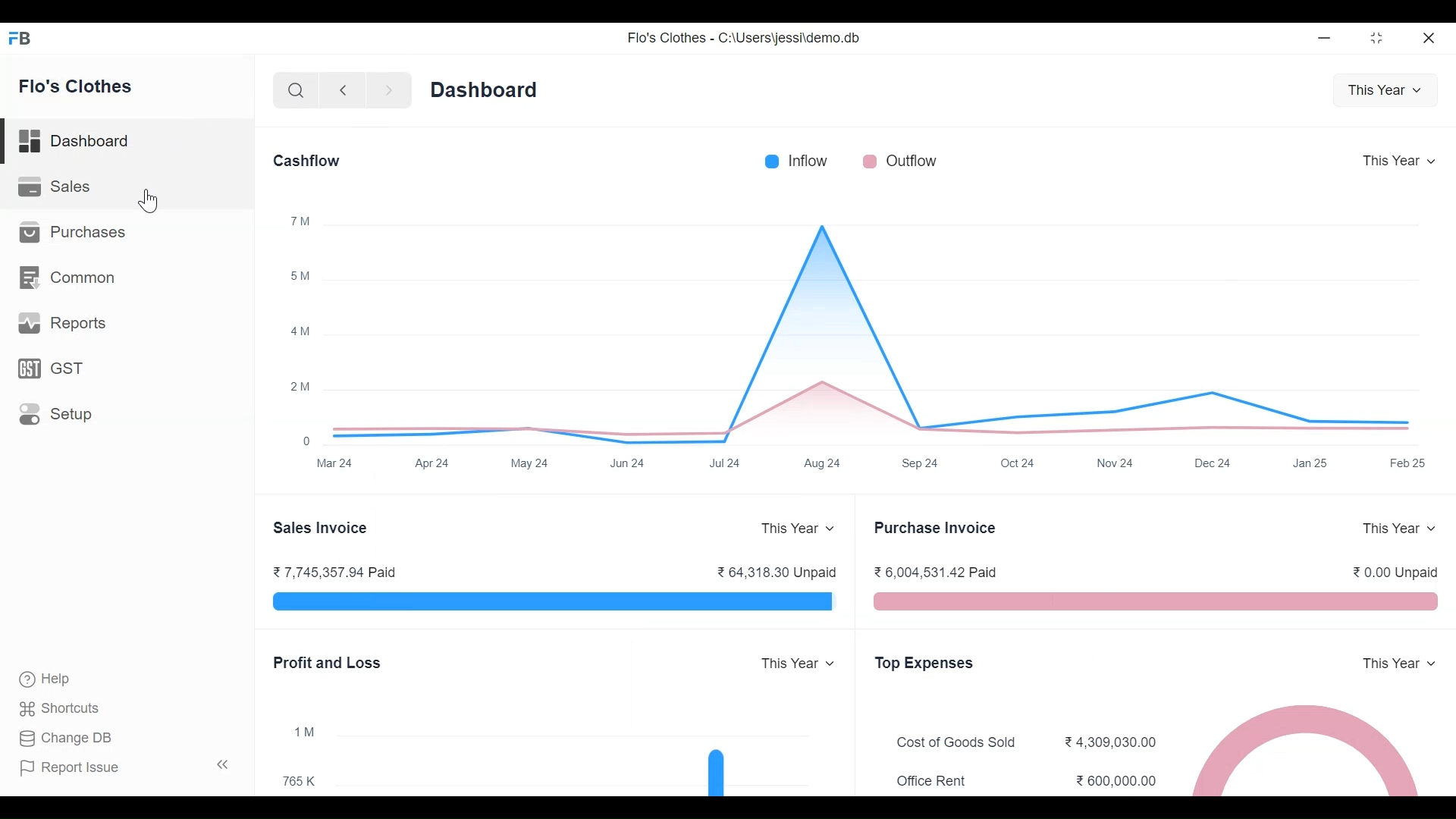  What do you see at coordinates (47, 681) in the screenshot?
I see `Help` at bounding box center [47, 681].